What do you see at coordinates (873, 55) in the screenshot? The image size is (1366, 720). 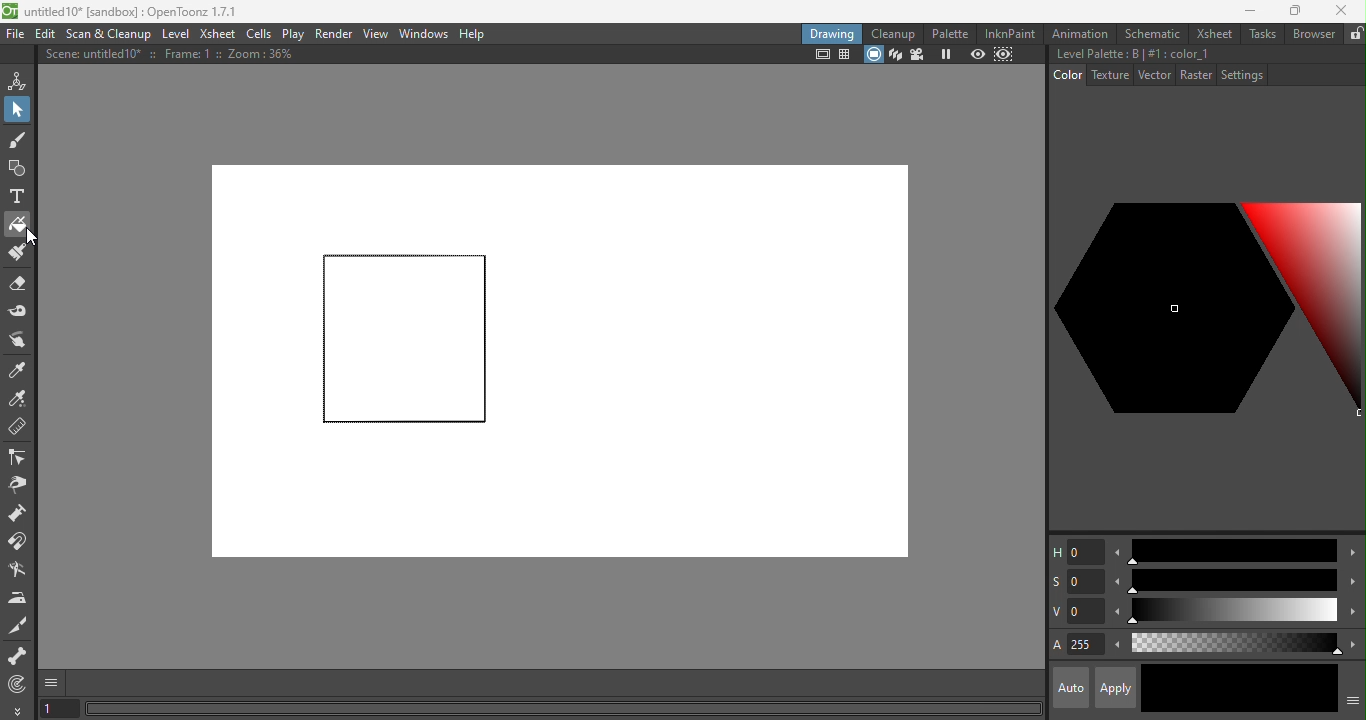 I see `Camera stand view` at bounding box center [873, 55].